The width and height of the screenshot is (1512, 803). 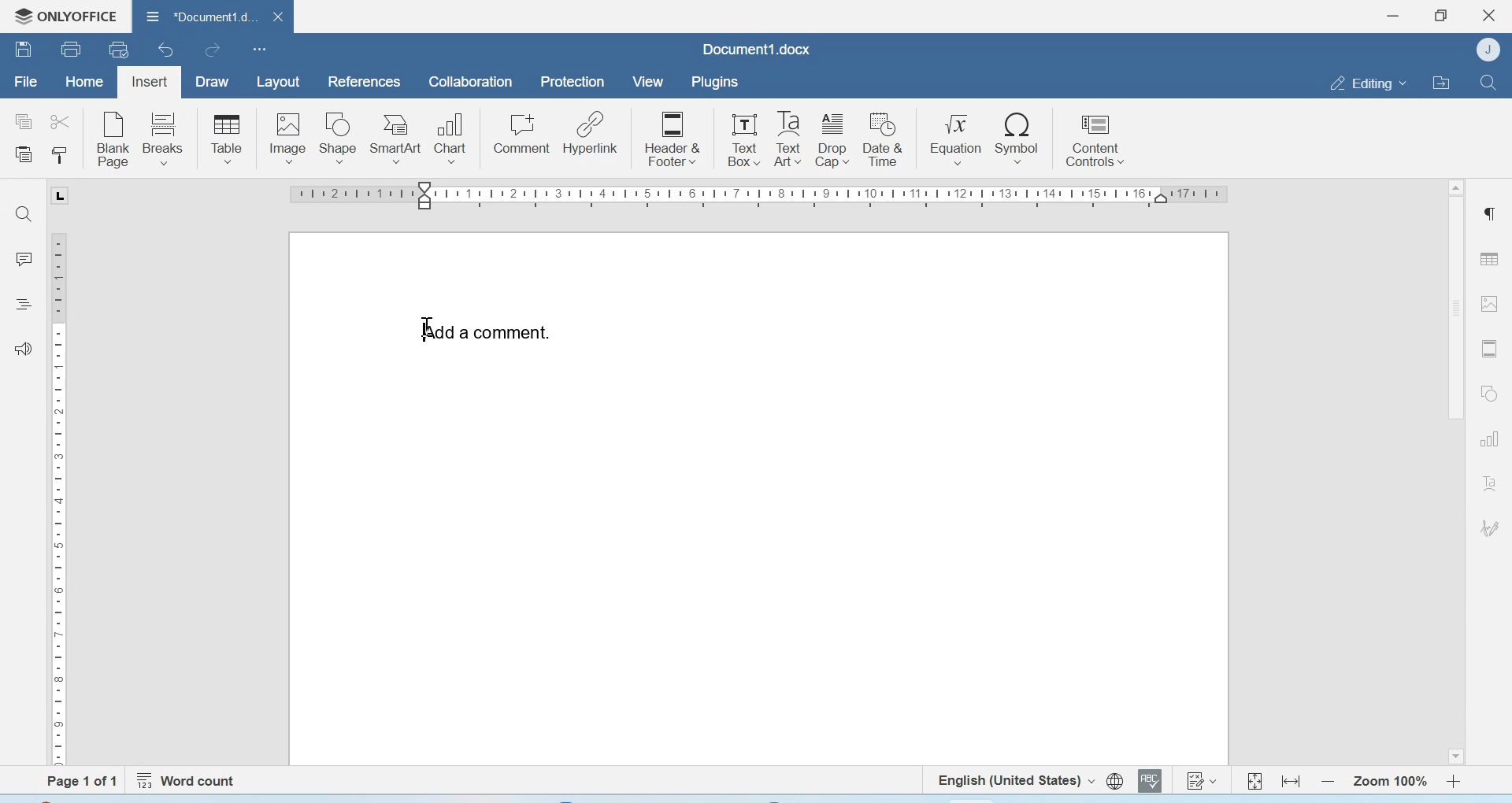 What do you see at coordinates (1292, 781) in the screenshot?
I see `Fit to width` at bounding box center [1292, 781].